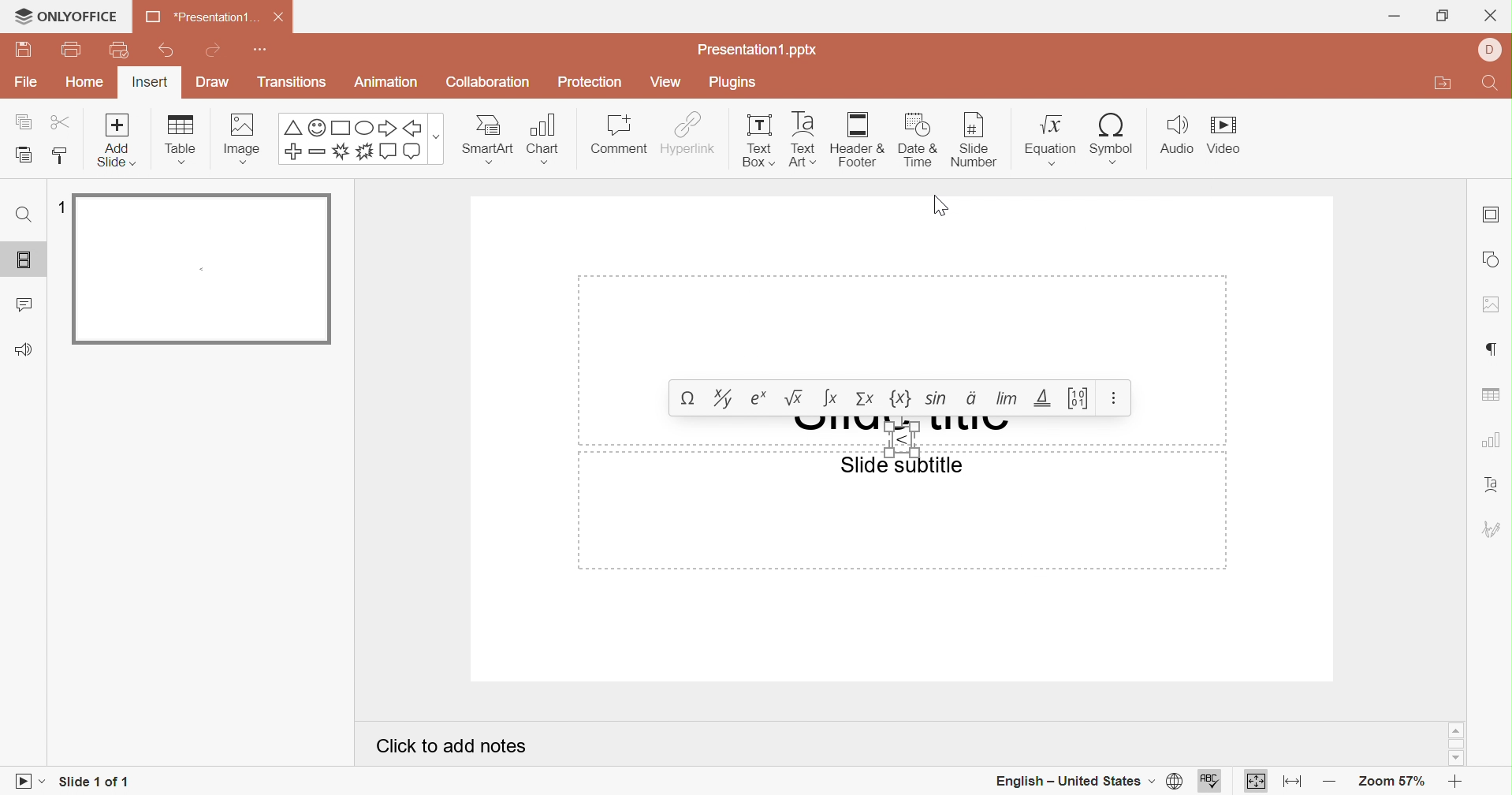  What do you see at coordinates (114, 156) in the screenshot?
I see `add slide with theme` at bounding box center [114, 156].